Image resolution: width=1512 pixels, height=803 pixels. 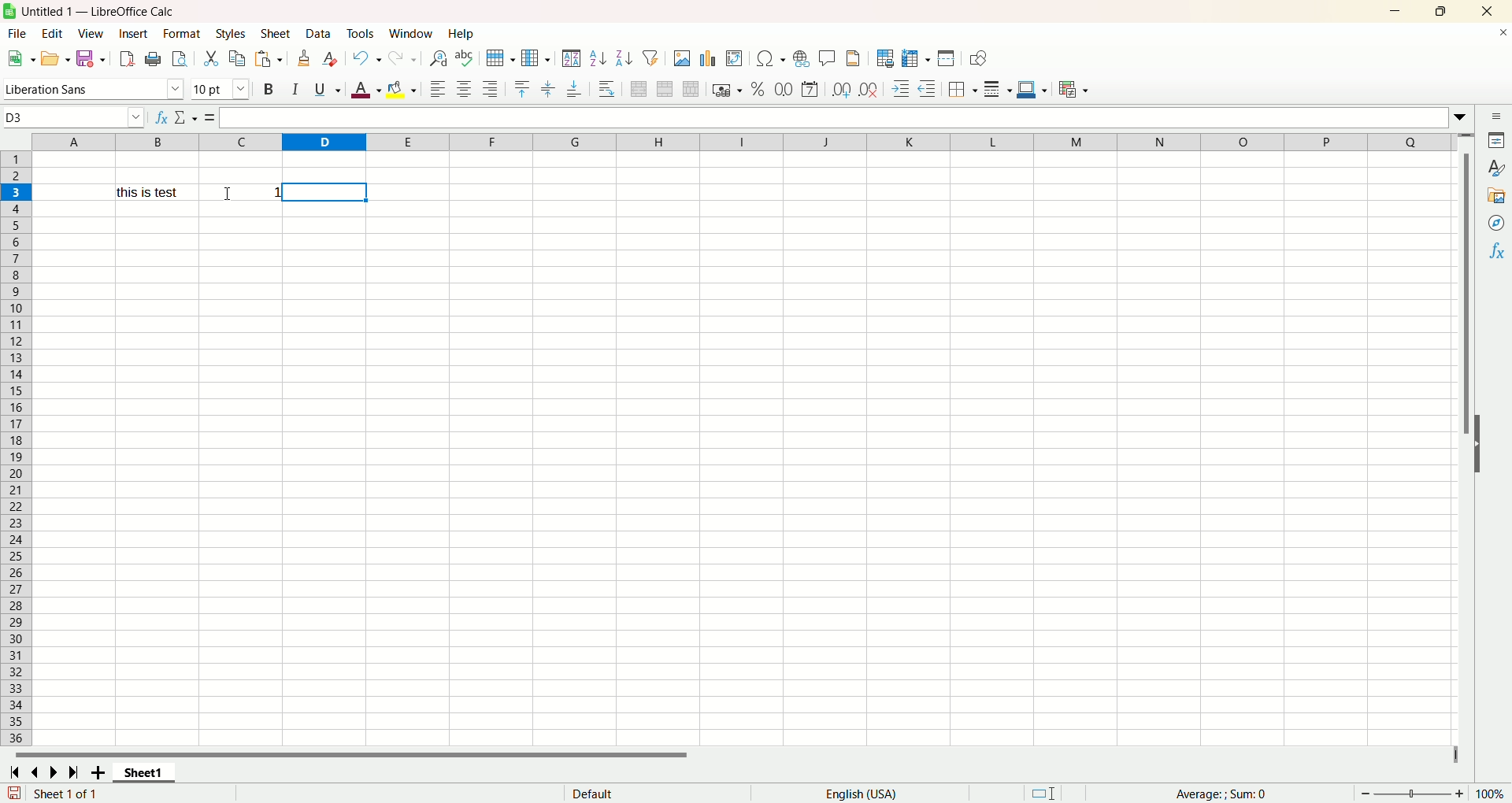 What do you see at coordinates (13, 793) in the screenshot?
I see `save` at bounding box center [13, 793].